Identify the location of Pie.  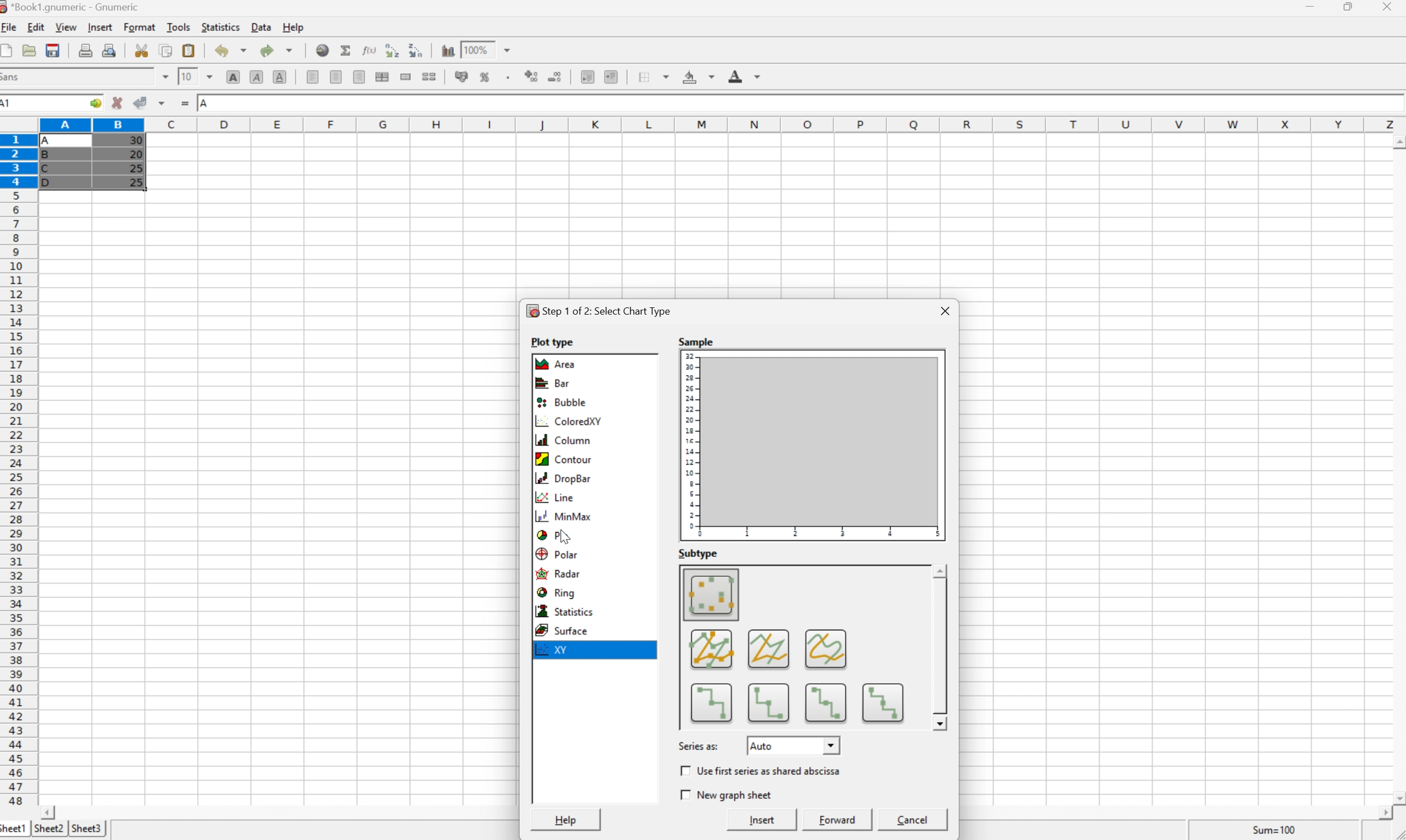
(553, 534).